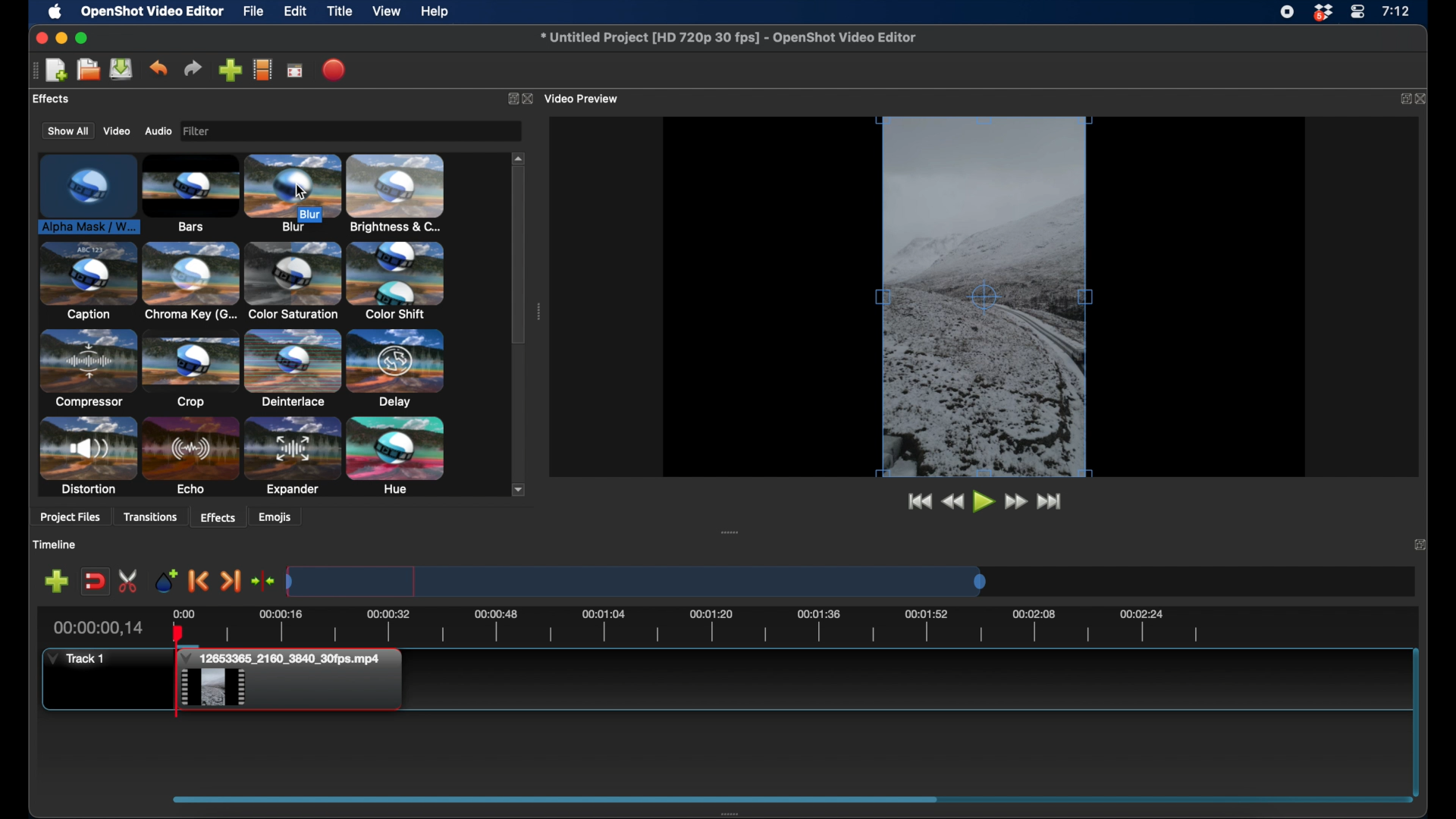 The height and width of the screenshot is (819, 1456). I want to click on expand, so click(1404, 99).